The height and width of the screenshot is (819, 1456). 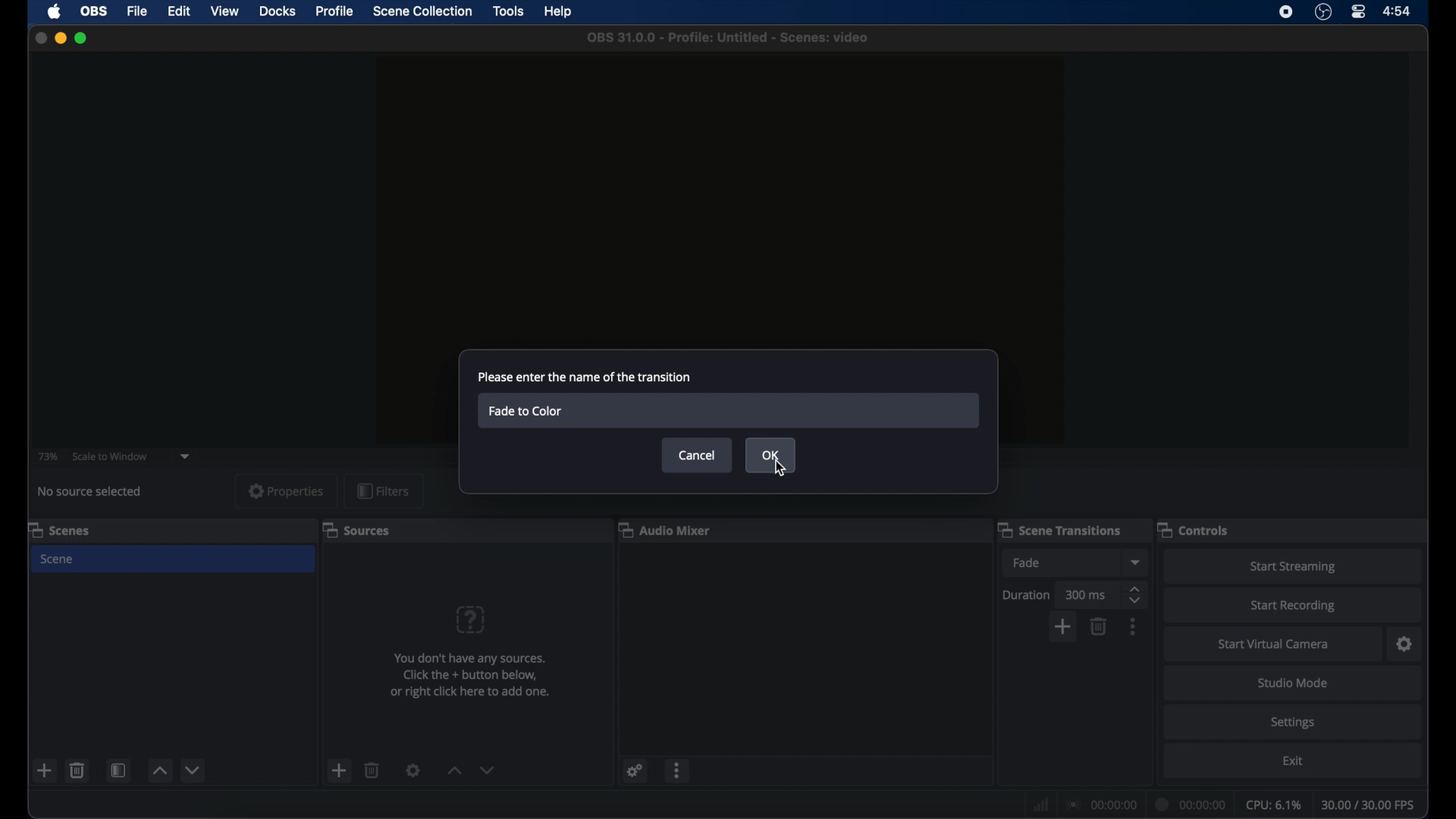 I want to click on view, so click(x=226, y=11).